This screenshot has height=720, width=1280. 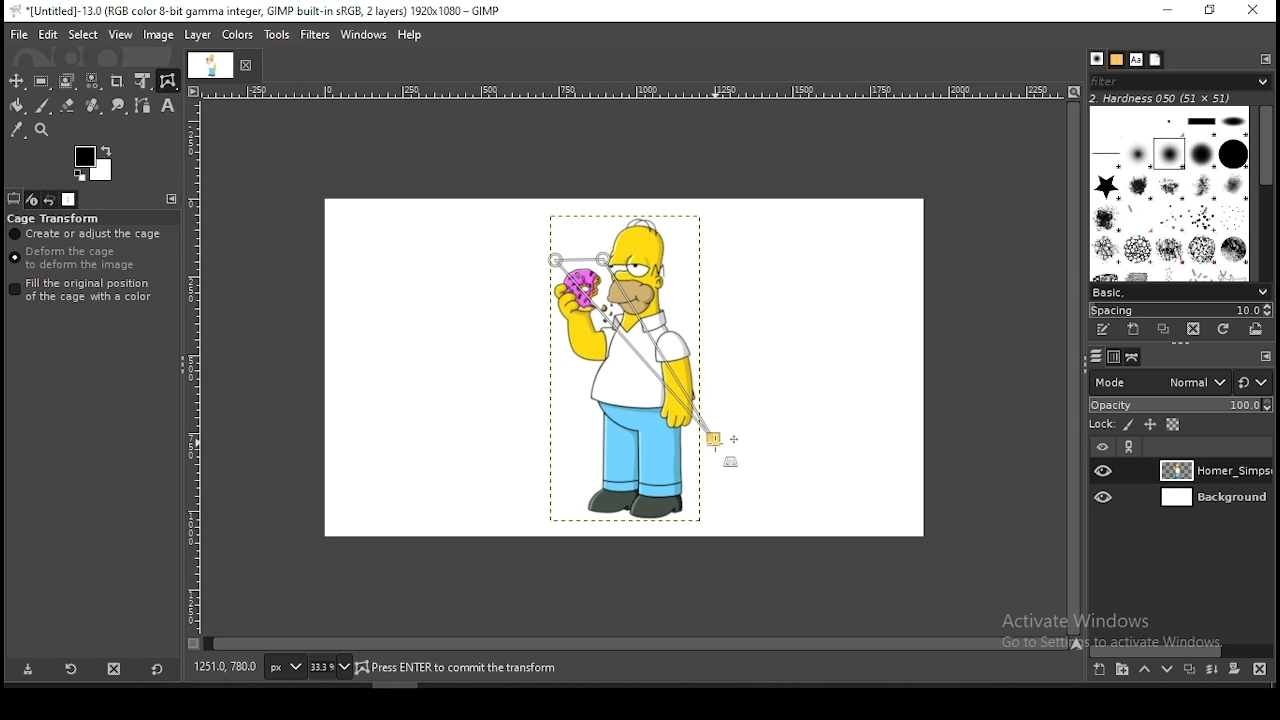 What do you see at coordinates (31, 199) in the screenshot?
I see `device status` at bounding box center [31, 199].